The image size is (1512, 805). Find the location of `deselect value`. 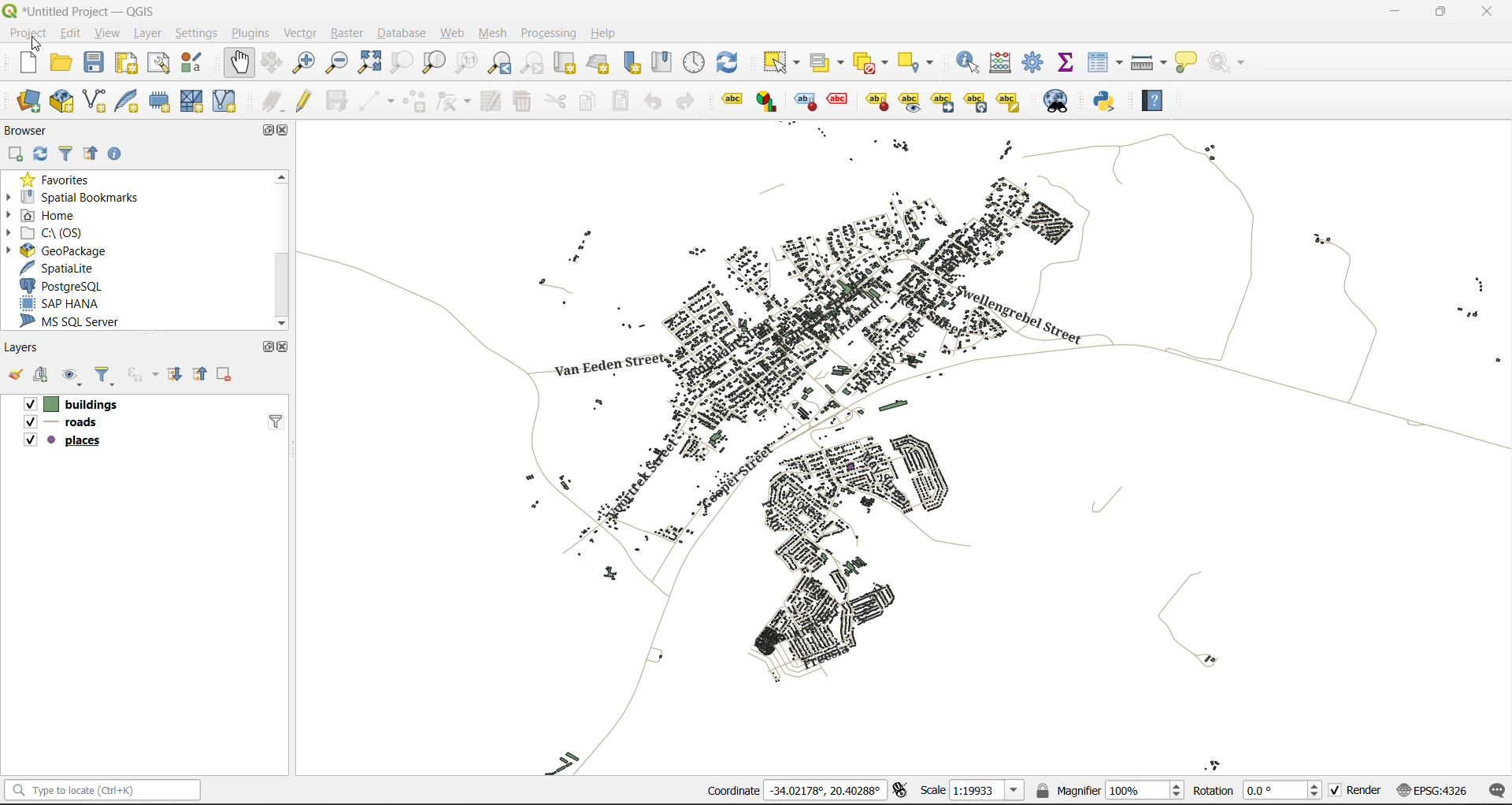

deselect value is located at coordinates (877, 61).